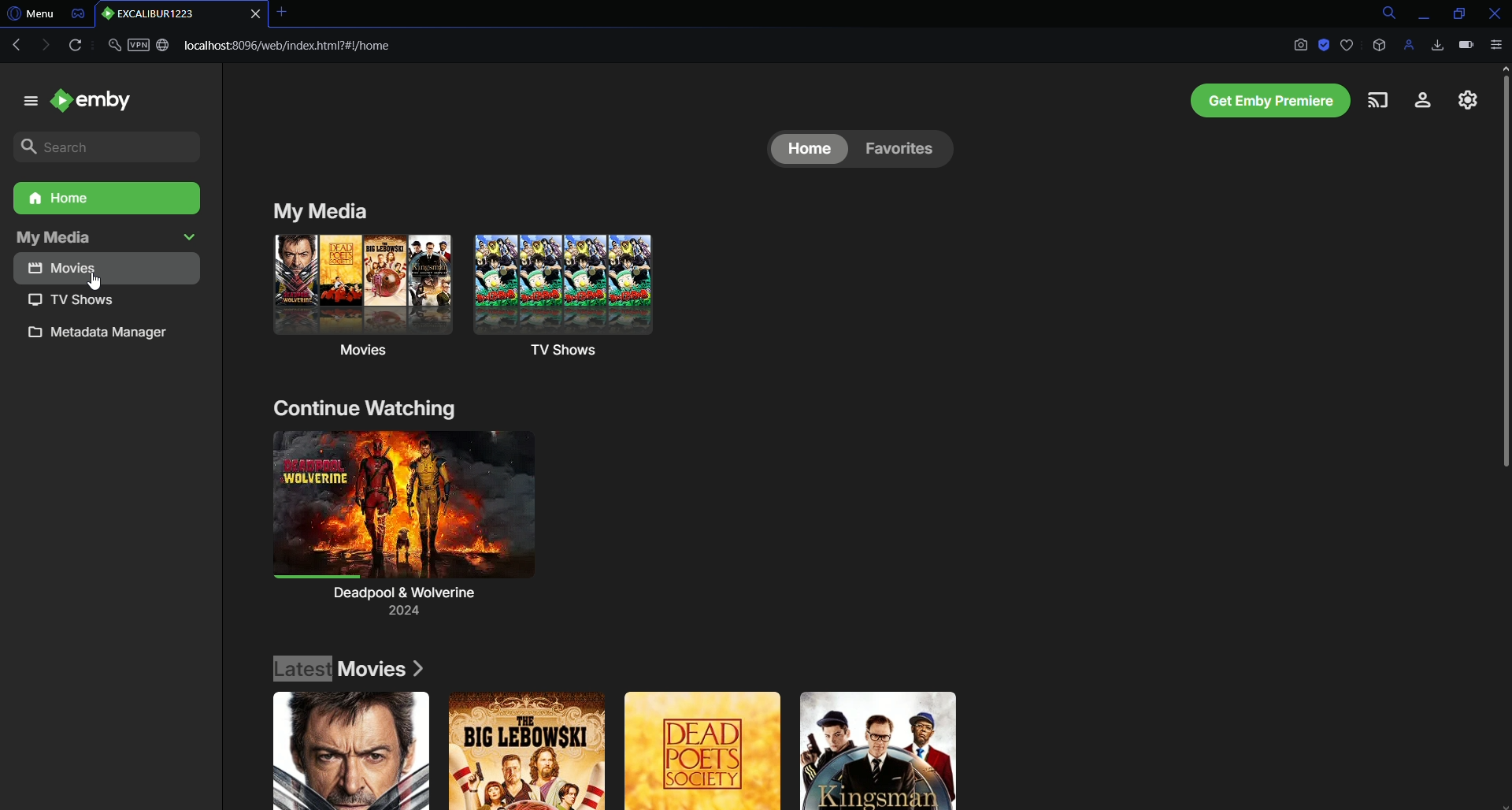 The height and width of the screenshot is (810, 1512). What do you see at coordinates (106, 336) in the screenshot?
I see `Metadata manager` at bounding box center [106, 336].